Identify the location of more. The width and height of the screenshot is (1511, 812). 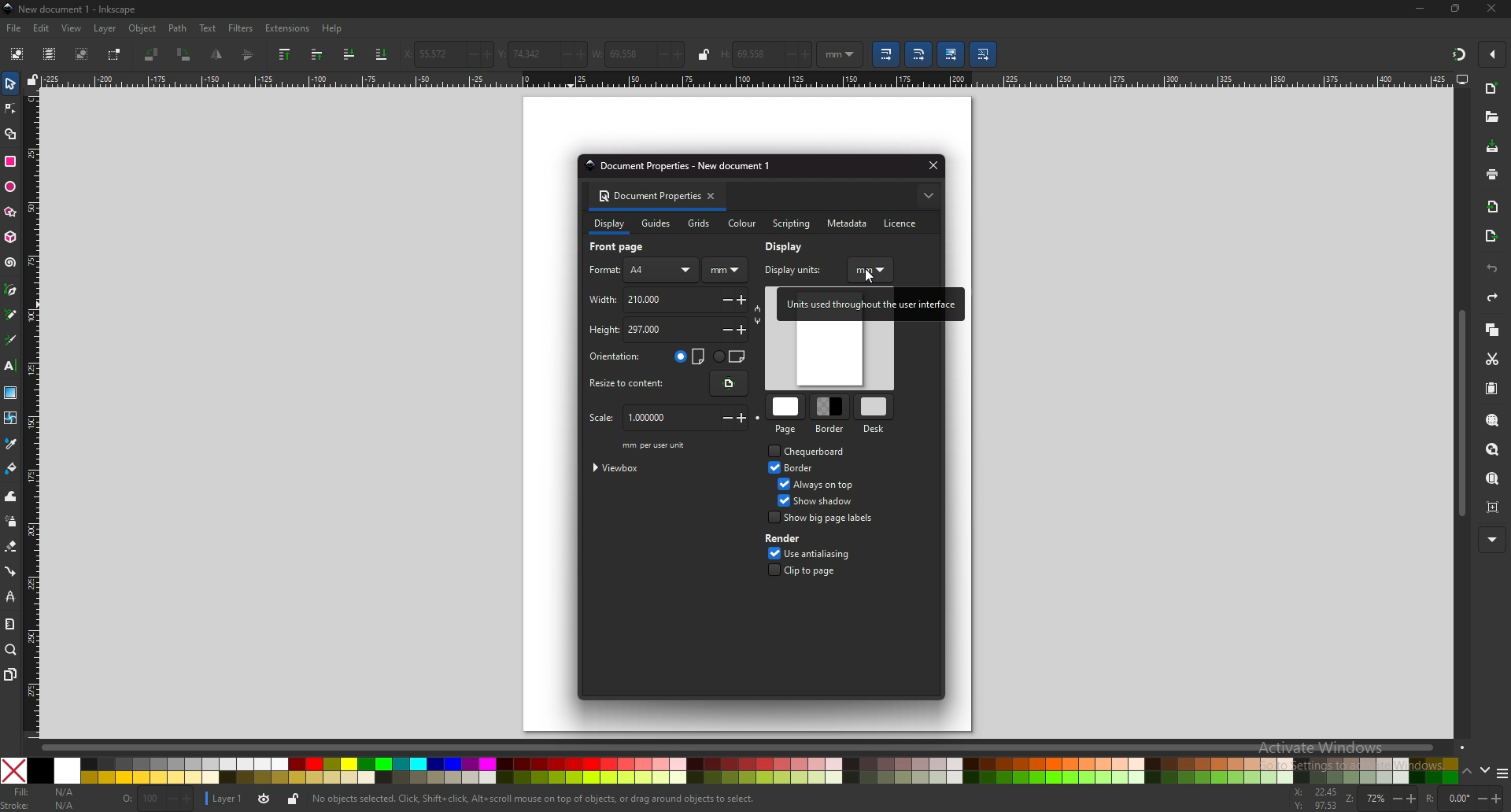
(928, 196).